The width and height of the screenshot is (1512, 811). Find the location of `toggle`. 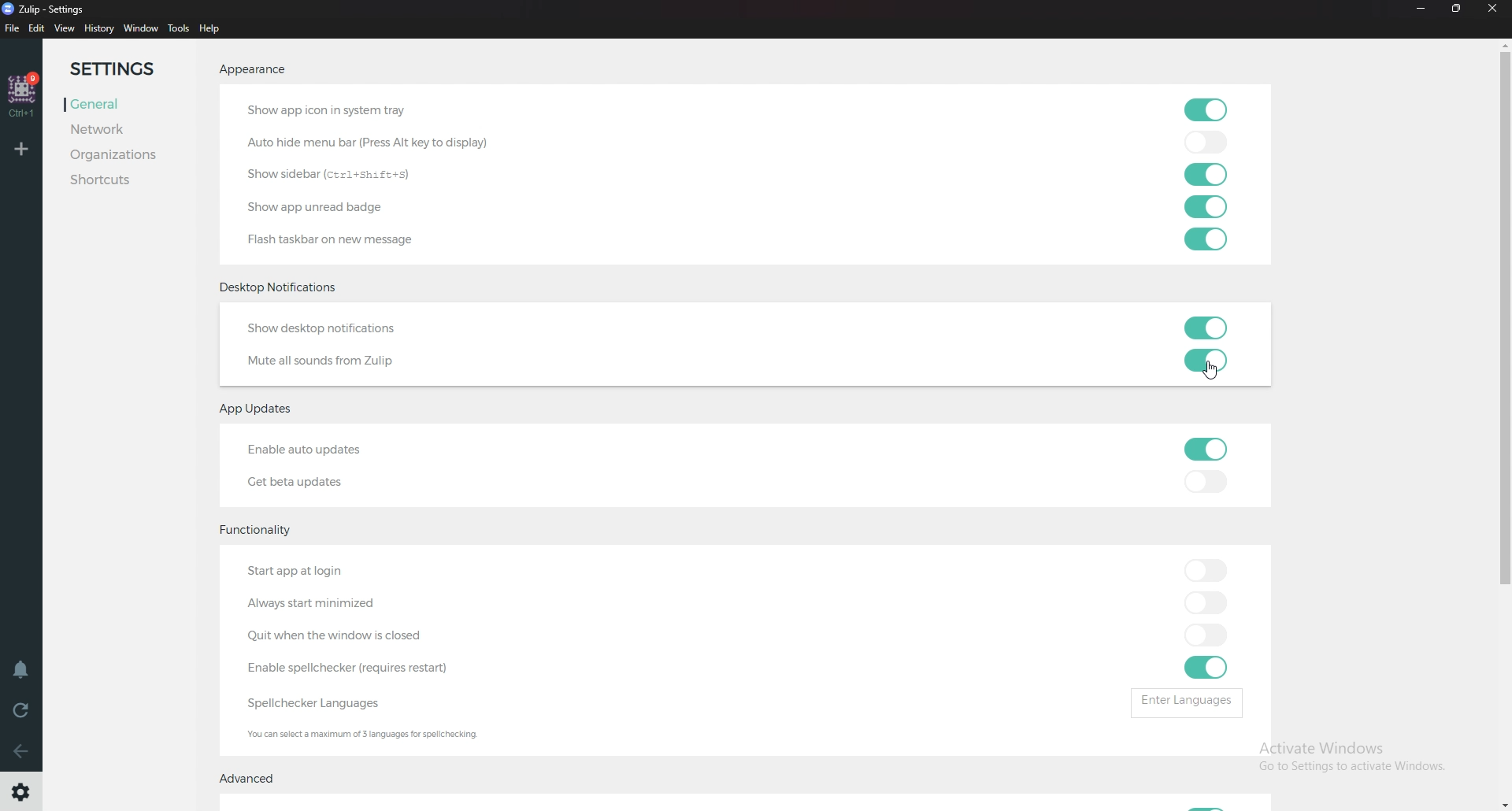

toggle is located at coordinates (1203, 206).